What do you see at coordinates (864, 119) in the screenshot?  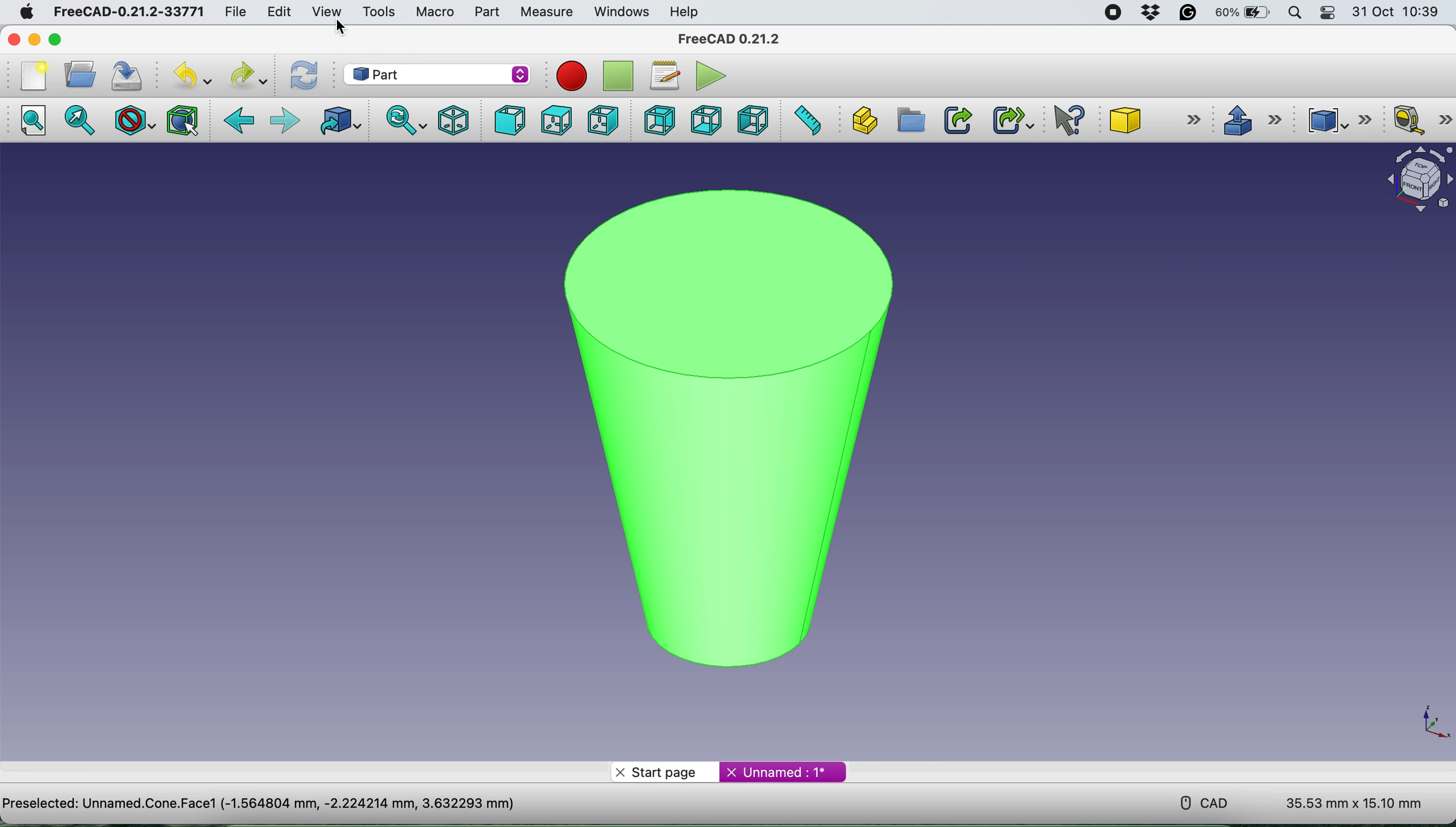 I see `create part` at bounding box center [864, 119].